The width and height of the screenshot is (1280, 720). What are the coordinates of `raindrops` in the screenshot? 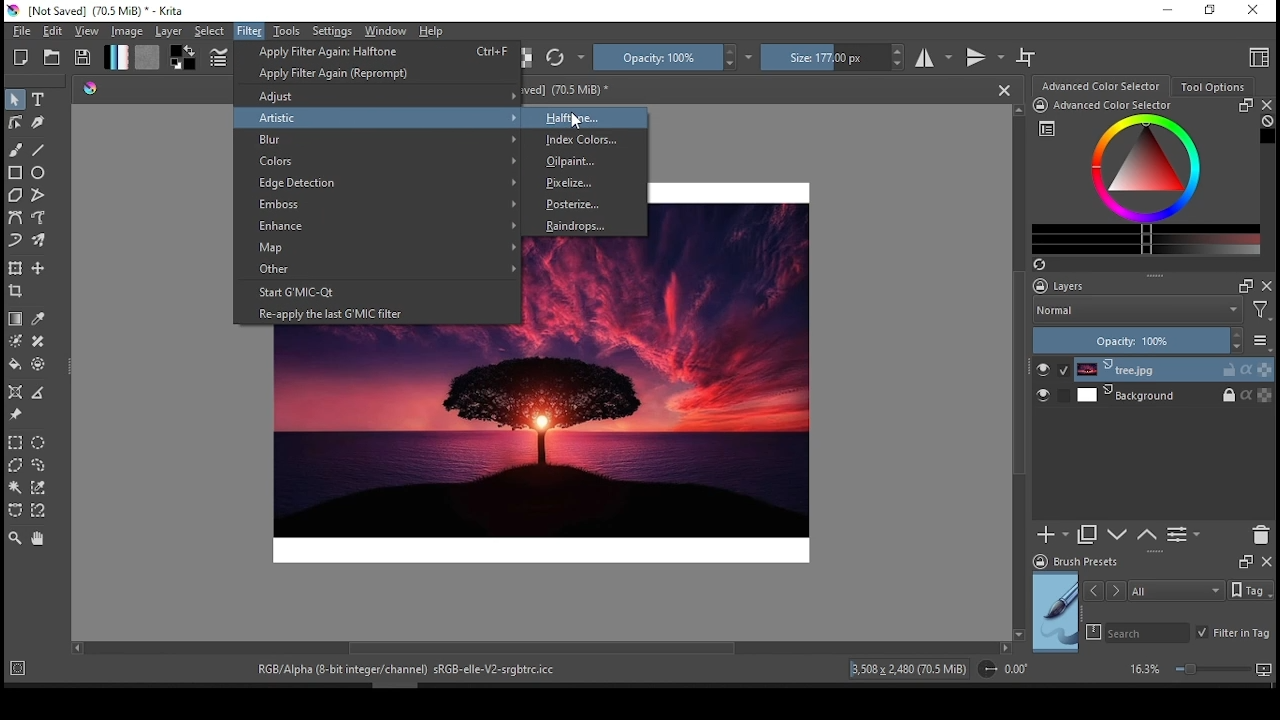 It's located at (583, 225).